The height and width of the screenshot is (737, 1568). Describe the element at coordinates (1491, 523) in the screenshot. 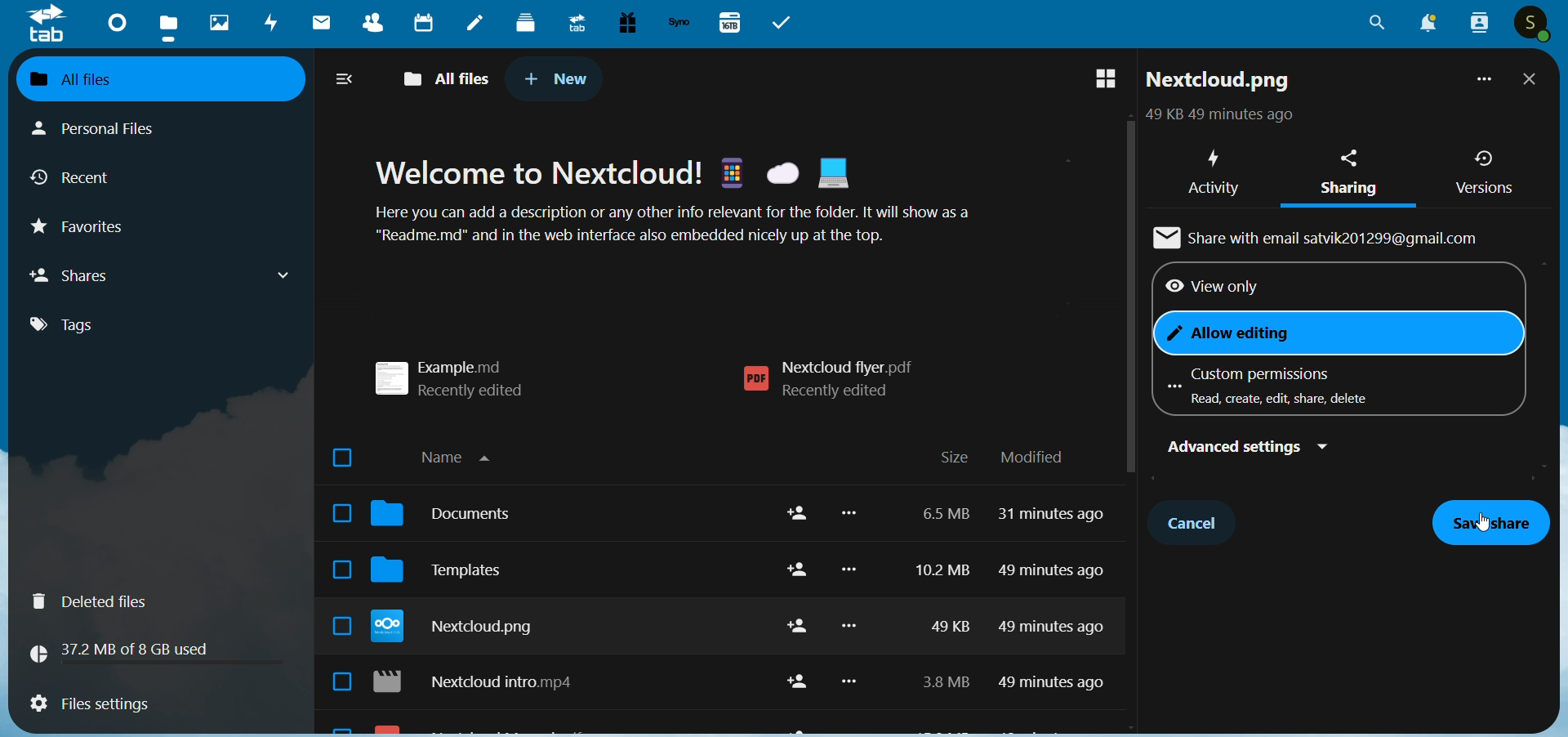

I see `save share` at that location.